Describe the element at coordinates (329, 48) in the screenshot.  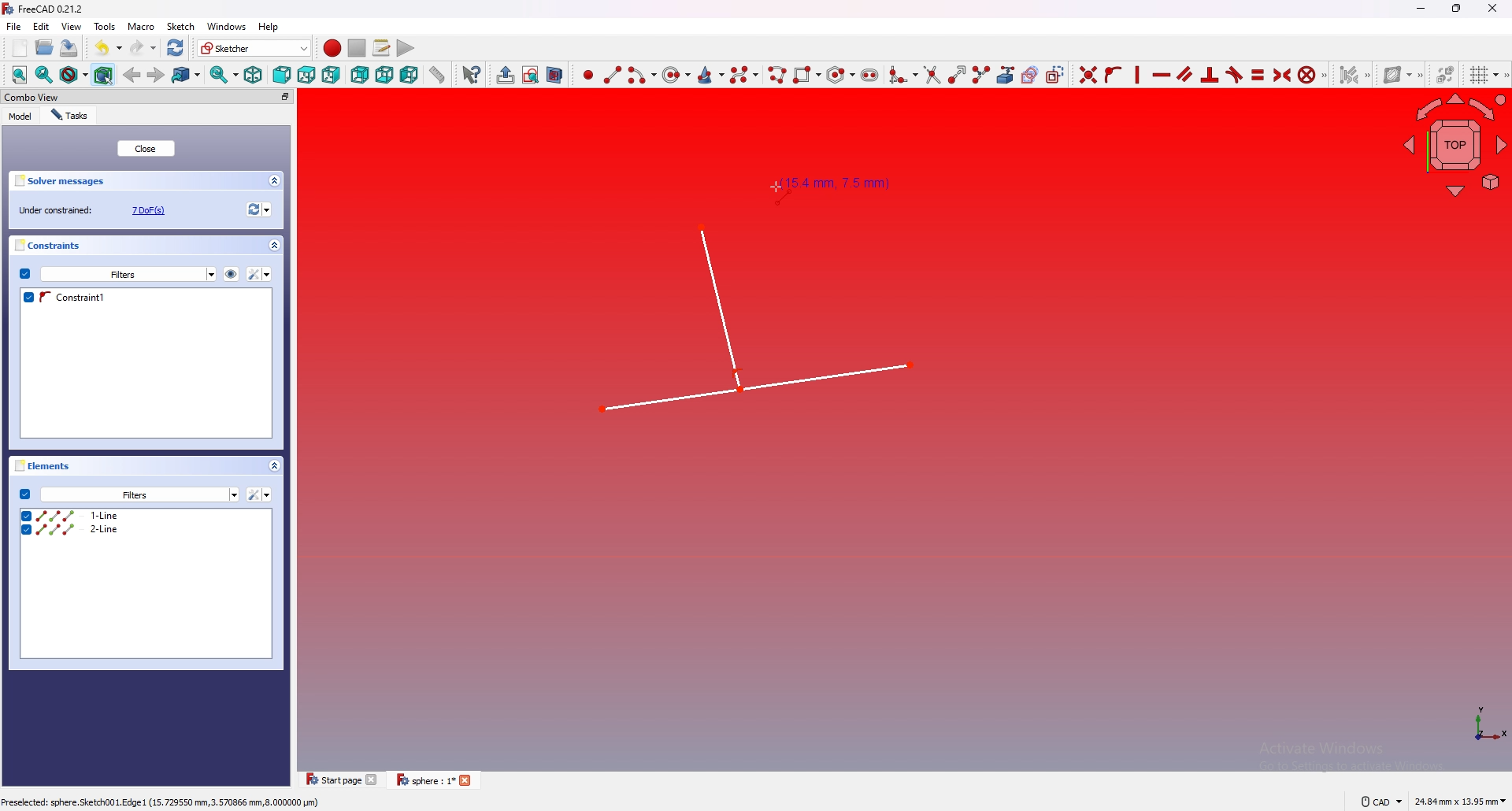
I see `Macro recording` at that location.